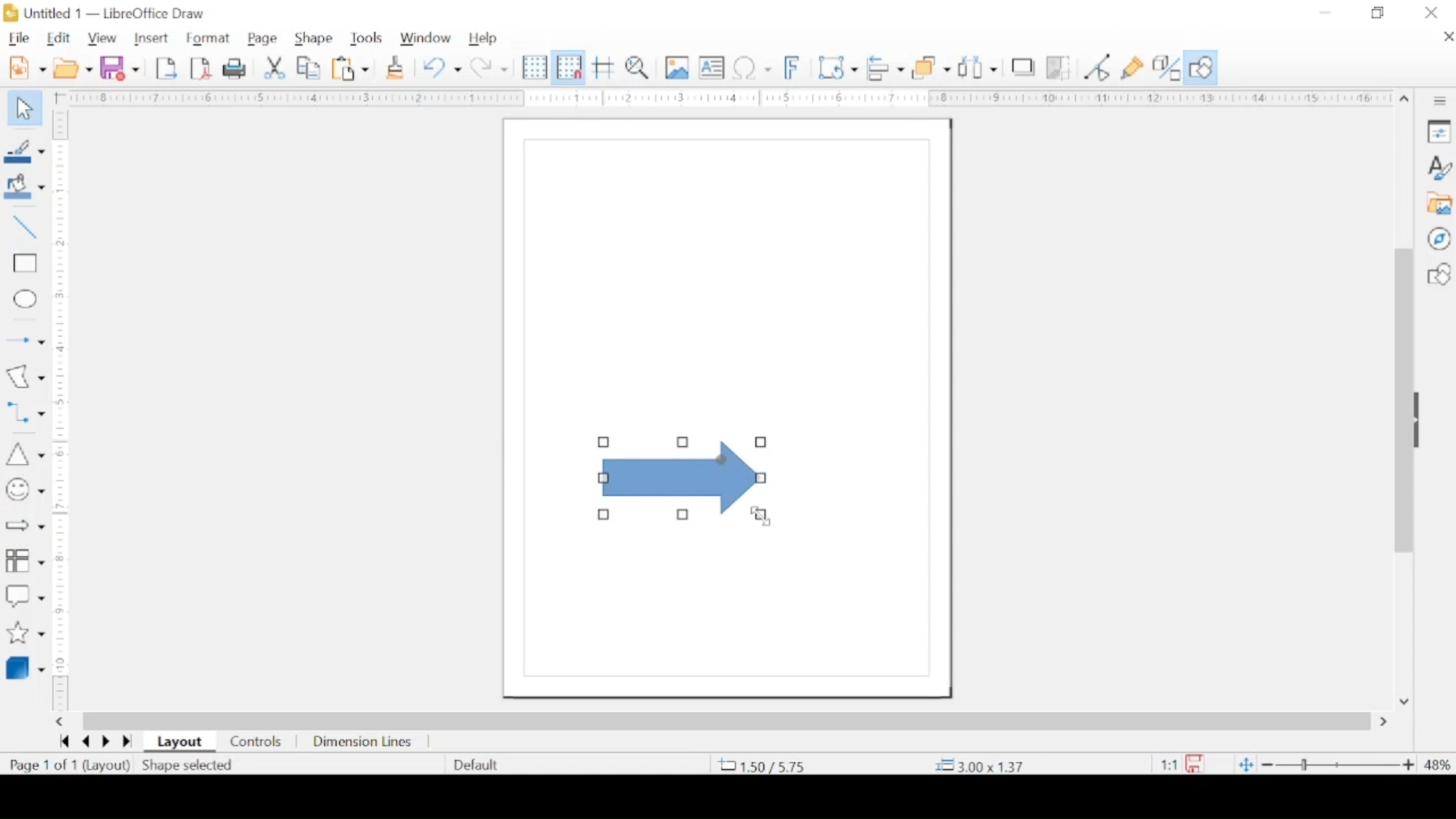 The image size is (1456, 819). Describe the element at coordinates (1447, 36) in the screenshot. I see `close` at that location.